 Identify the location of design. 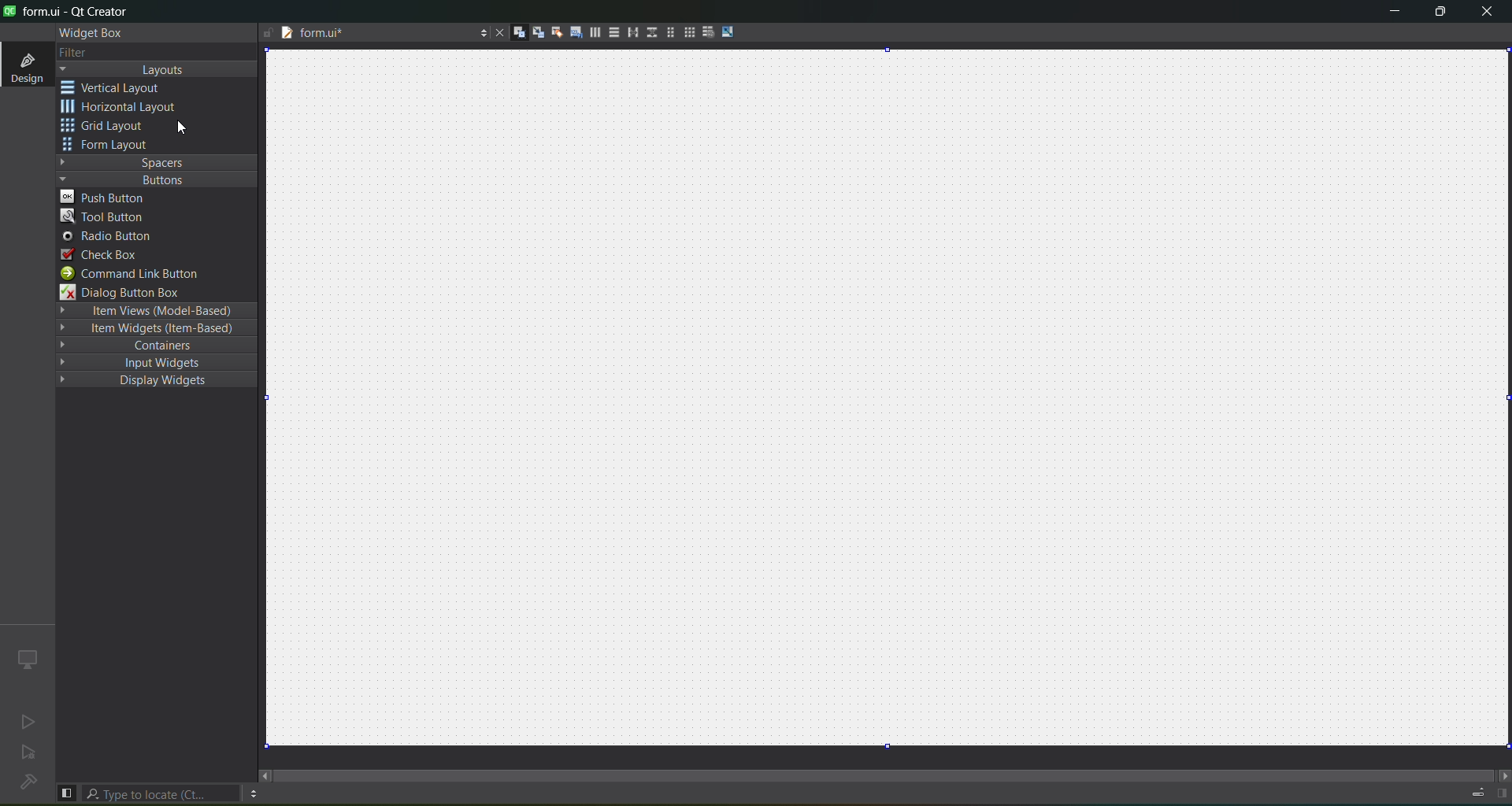
(25, 66).